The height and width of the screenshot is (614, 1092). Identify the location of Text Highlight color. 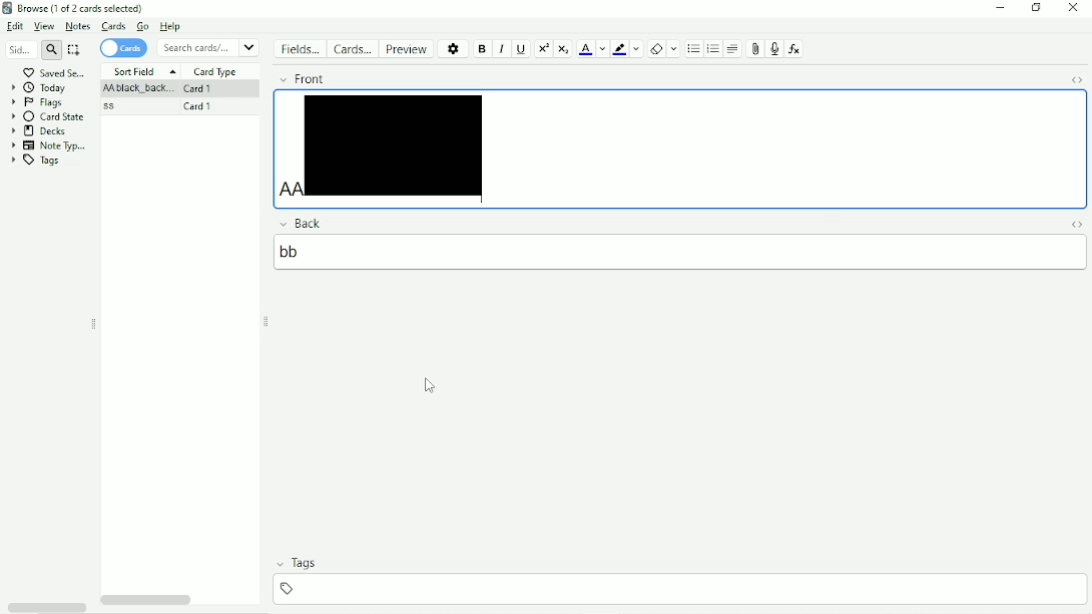
(619, 49).